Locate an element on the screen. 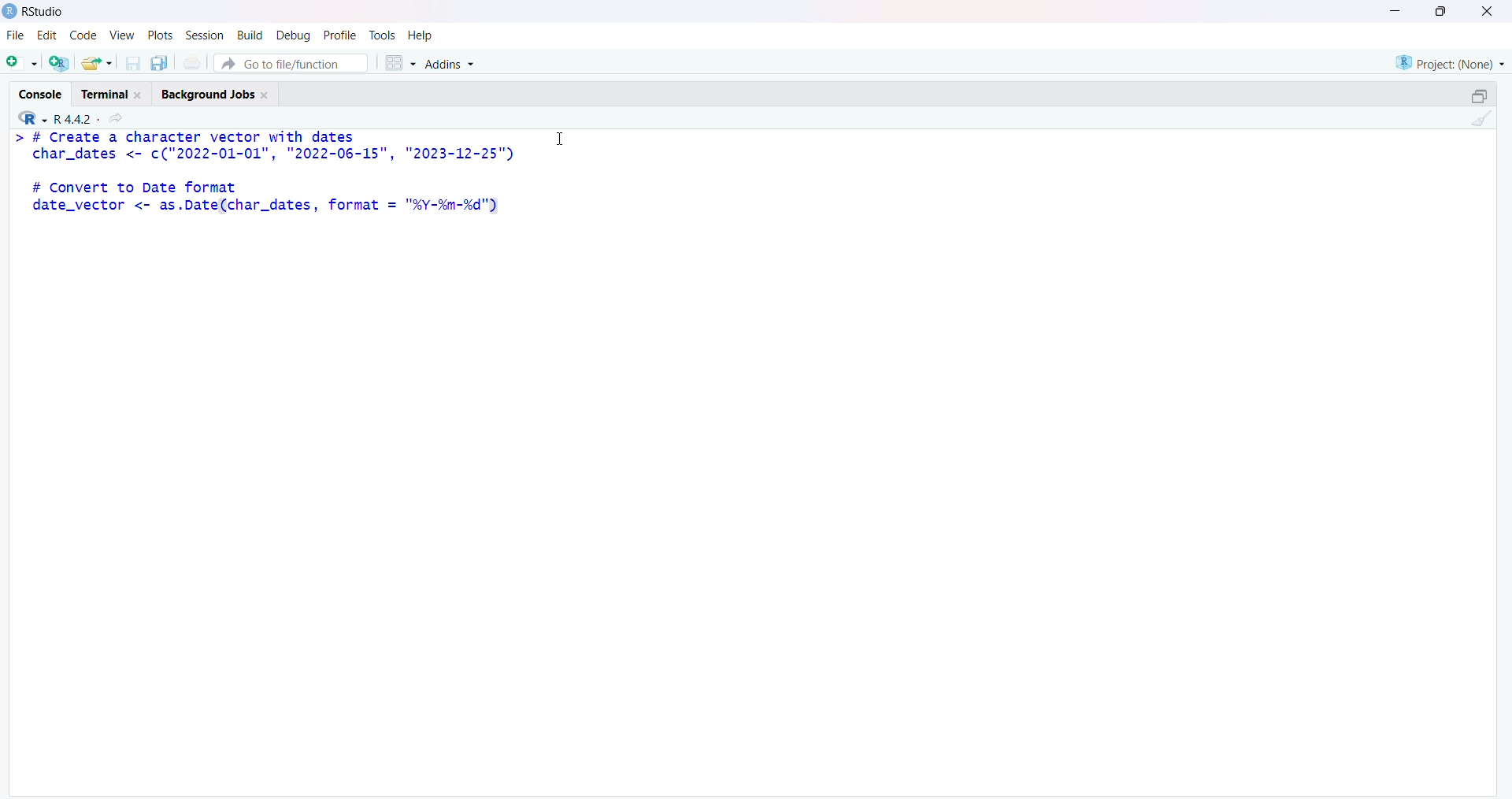 The height and width of the screenshot is (799, 1512). R.4.2.2 is located at coordinates (71, 117).